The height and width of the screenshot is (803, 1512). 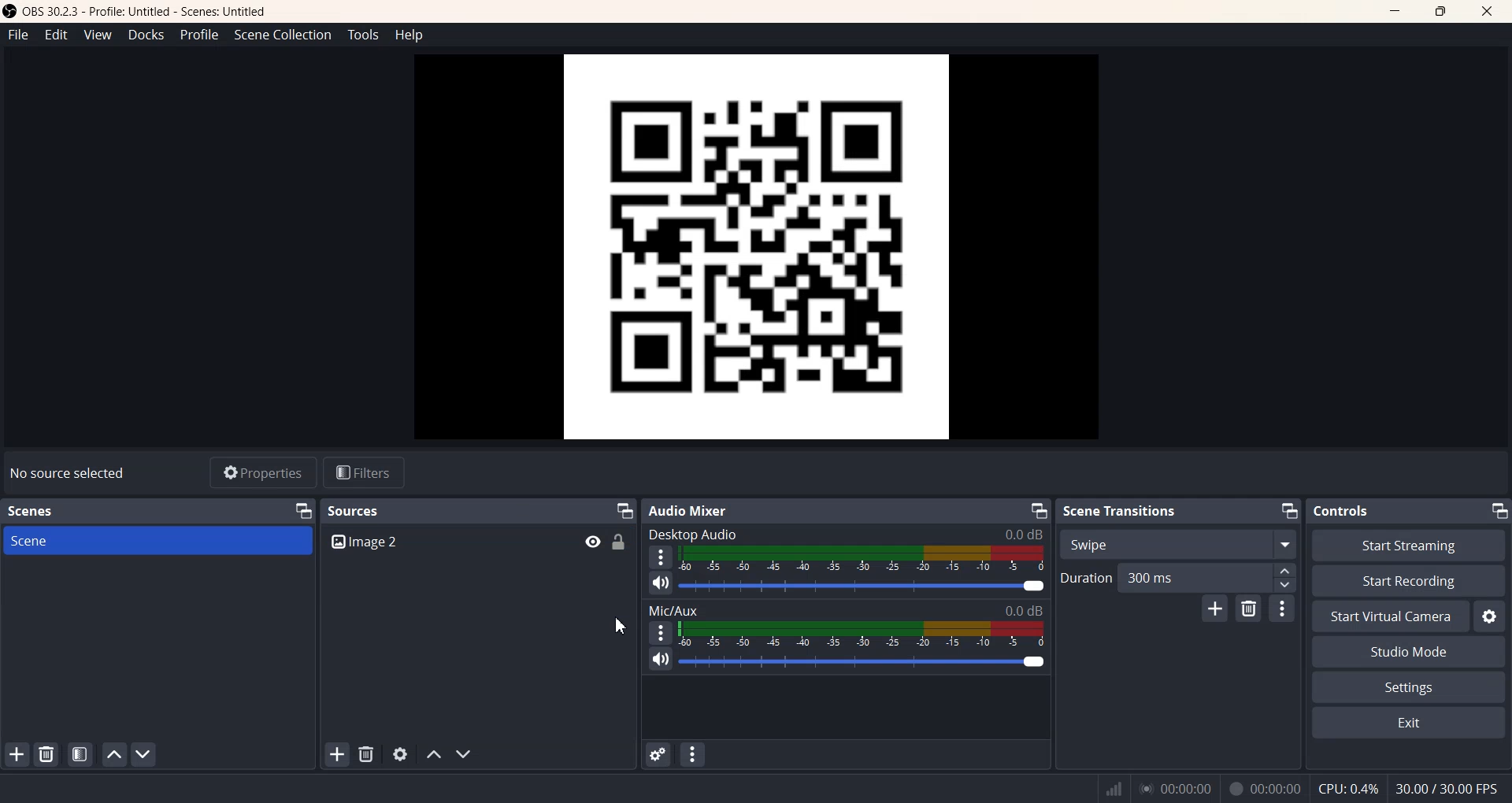 I want to click on Cursor, so click(x=621, y=625).